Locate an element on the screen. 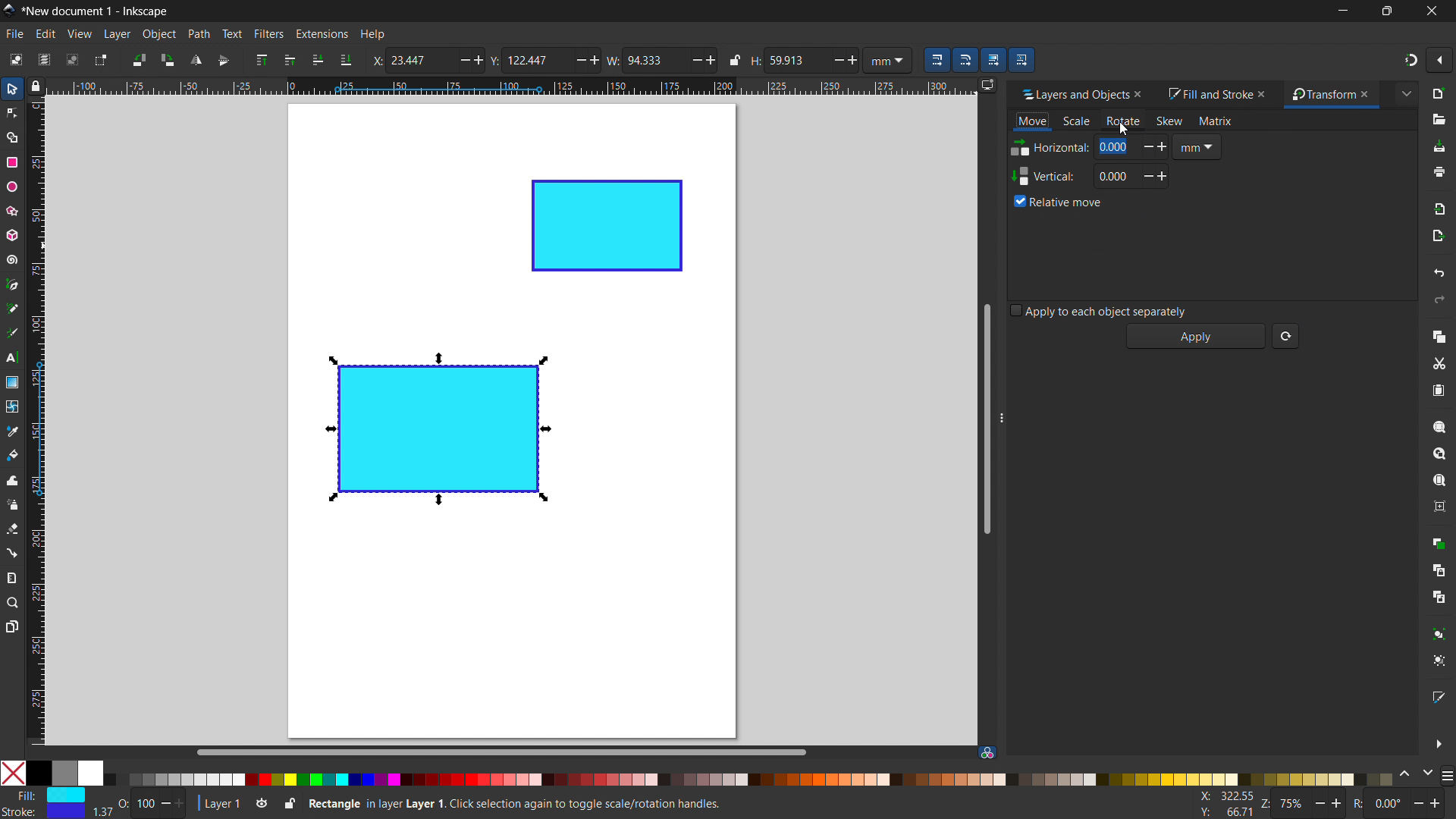  maximize is located at coordinates (1384, 11).